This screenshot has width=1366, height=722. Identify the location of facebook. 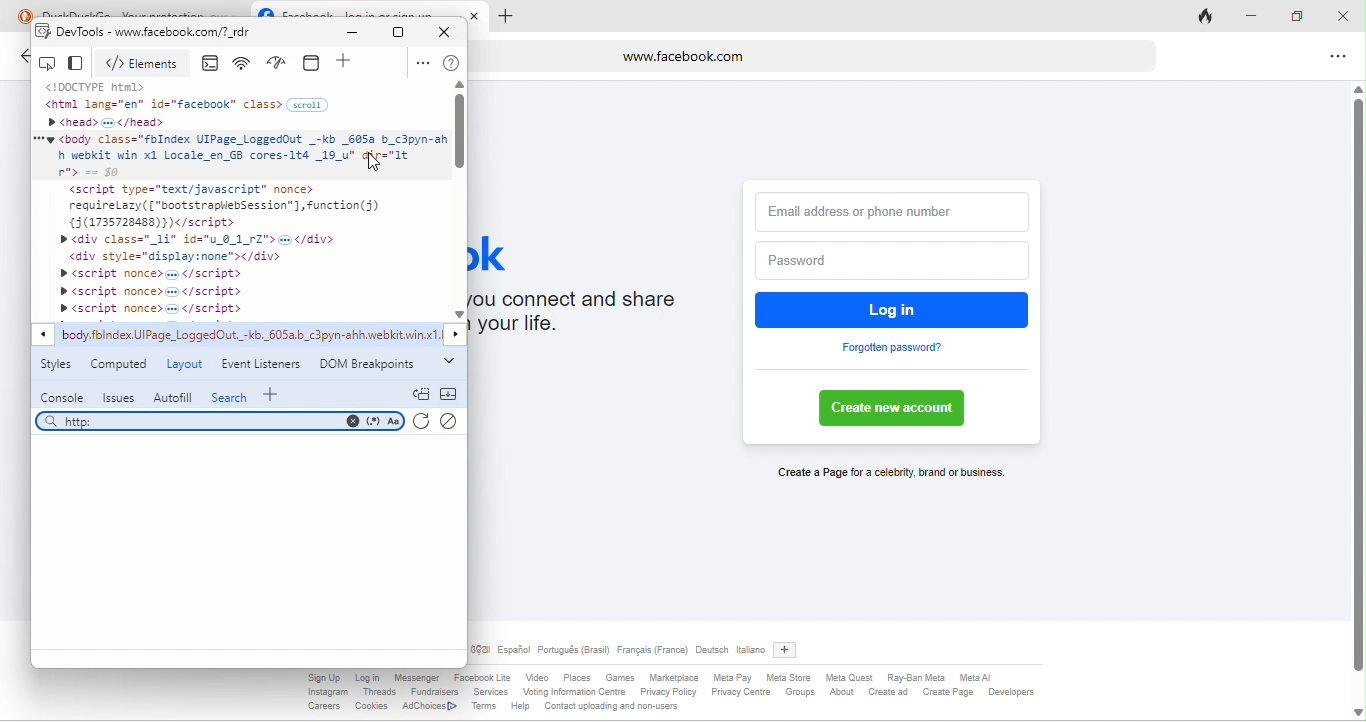
(506, 252).